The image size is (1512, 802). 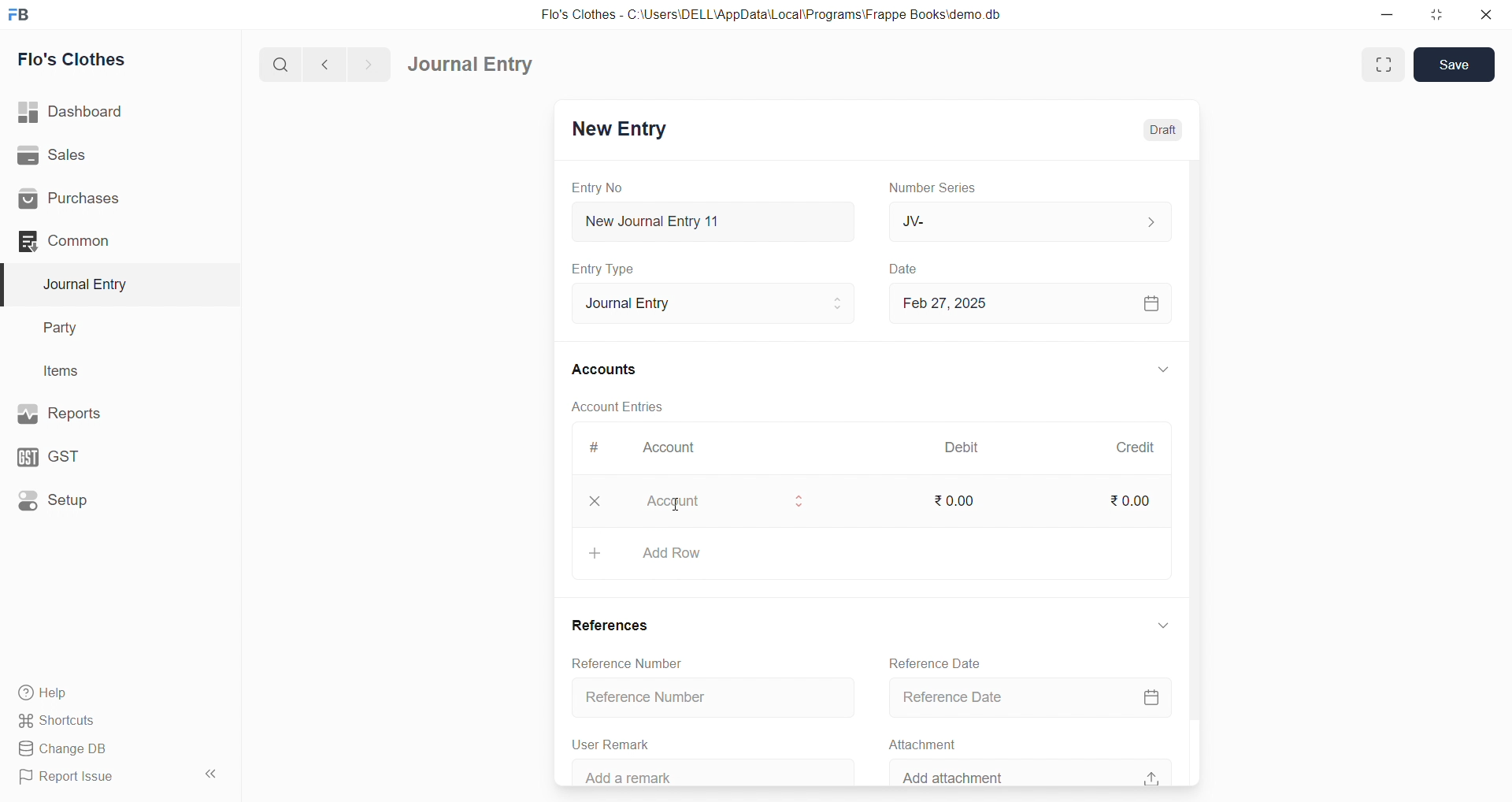 I want to click on Items, so click(x=67, y=370).